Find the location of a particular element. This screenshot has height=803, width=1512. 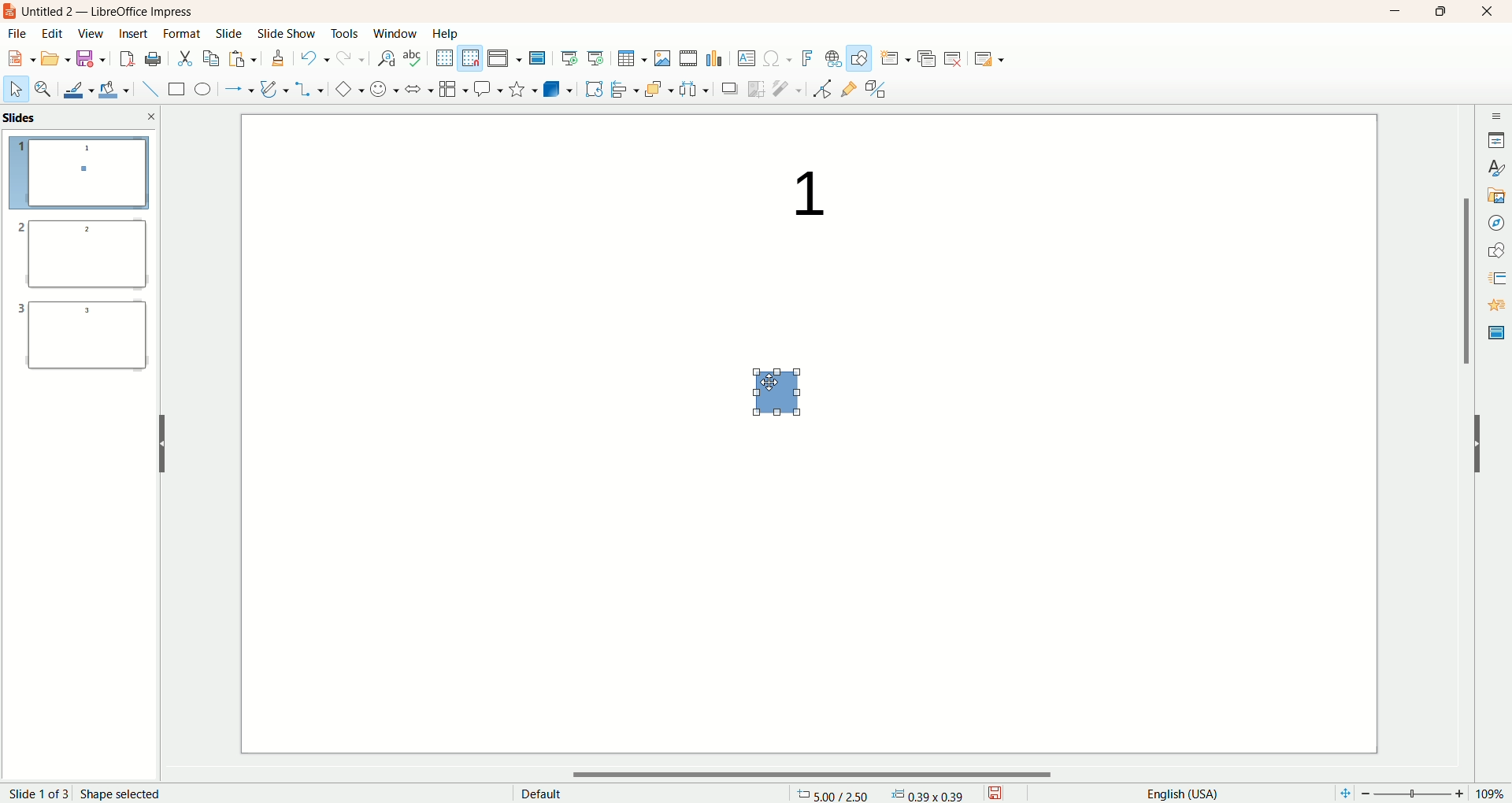

align is located at coordinates (623, 87).